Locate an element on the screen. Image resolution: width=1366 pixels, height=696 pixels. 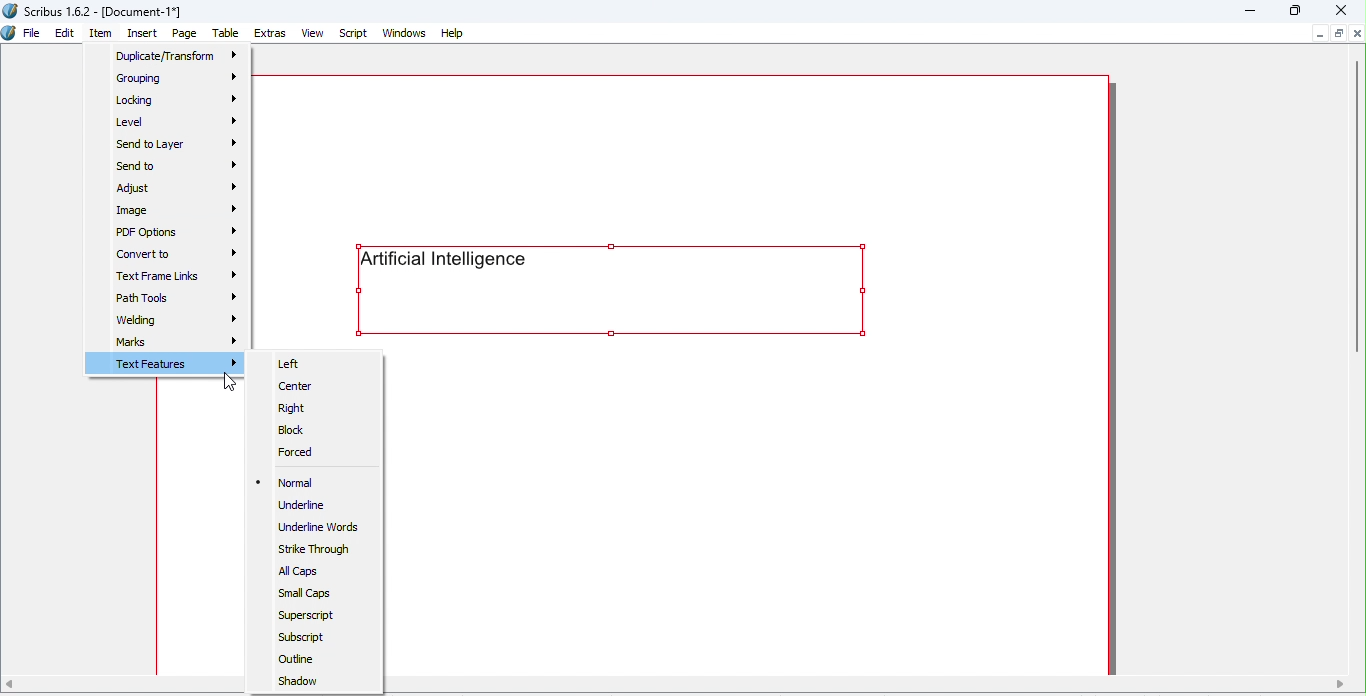
Locking is located at coordinates (176, 97).